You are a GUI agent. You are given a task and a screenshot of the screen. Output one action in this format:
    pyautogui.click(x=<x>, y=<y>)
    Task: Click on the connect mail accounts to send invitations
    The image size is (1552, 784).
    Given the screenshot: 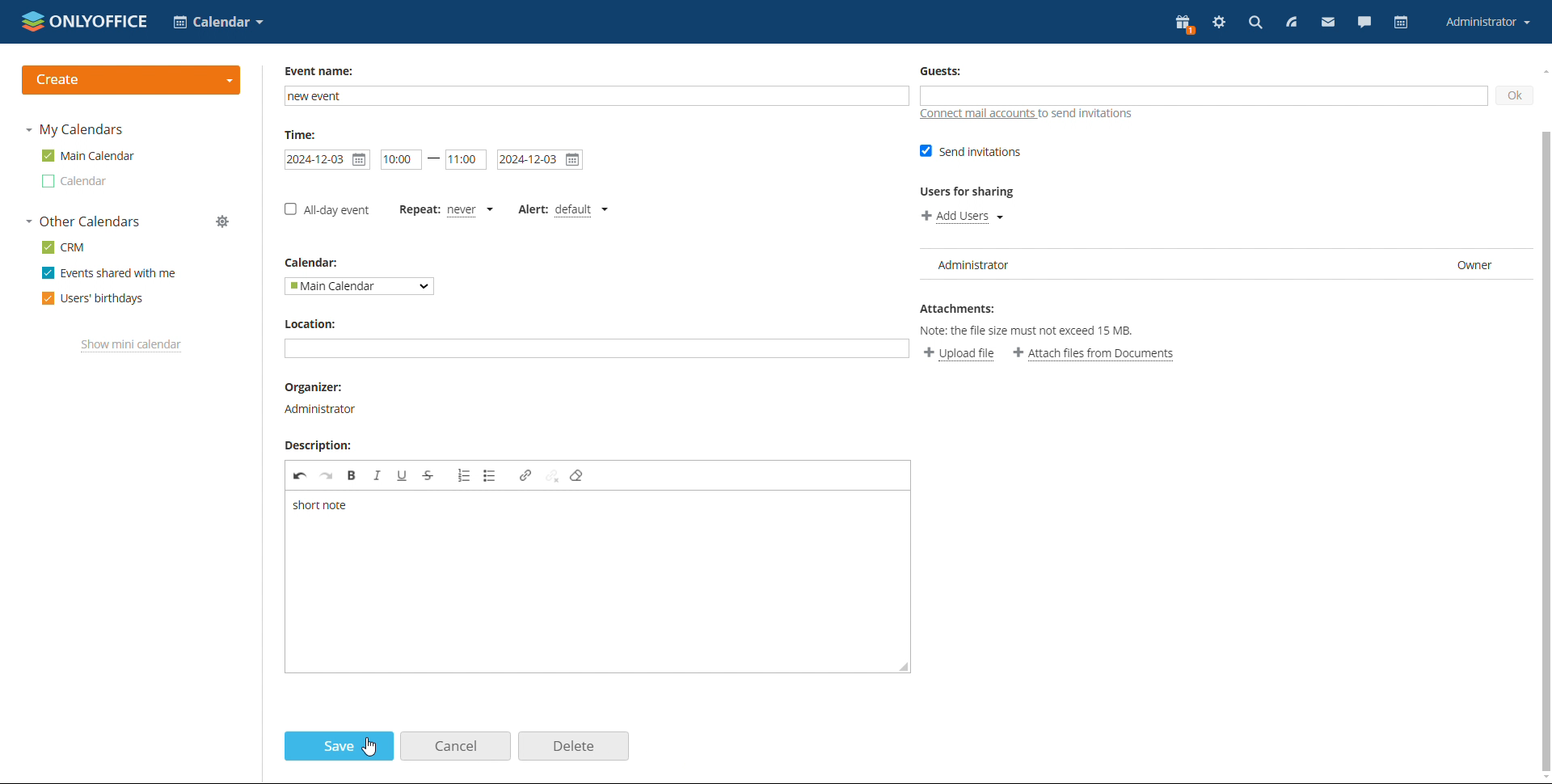 What is the action you would take?
    pyautogui.click(x=1031, y=116)
    